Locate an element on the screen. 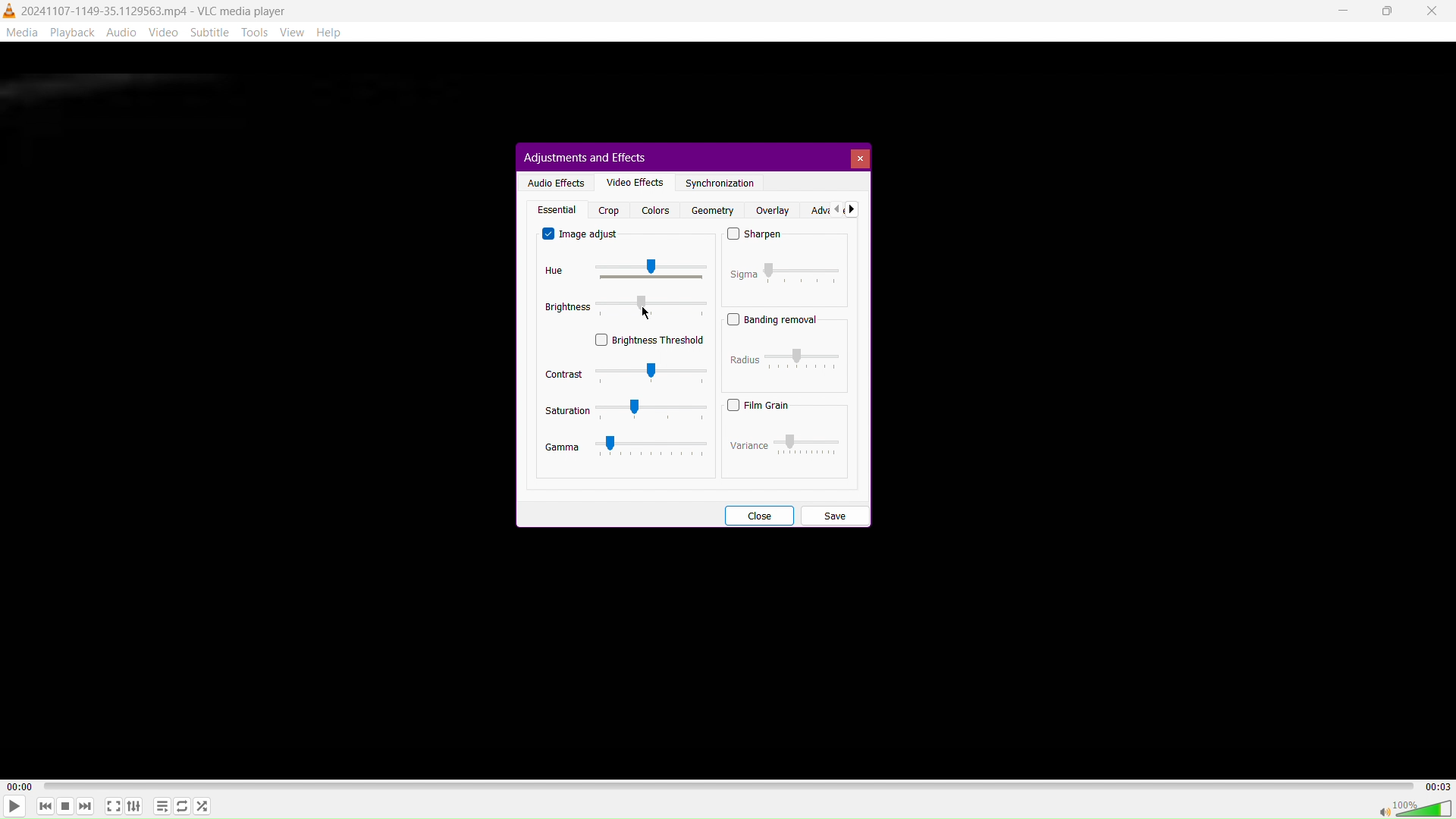  2024107-1149-35.1129563.mp4 - VLC media player is located at coordinates (146, 9).